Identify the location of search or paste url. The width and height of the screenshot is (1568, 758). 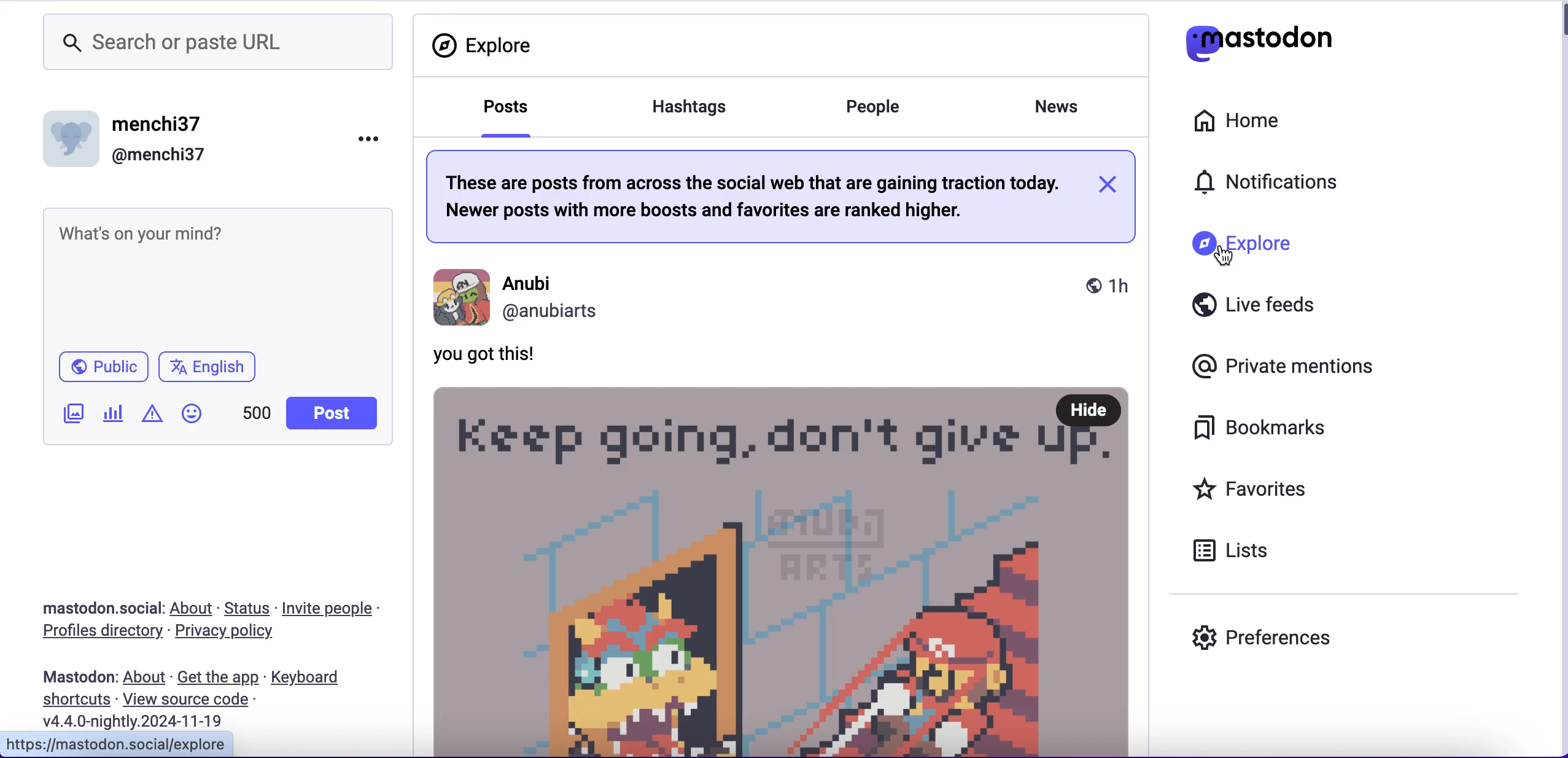
(215, 45).